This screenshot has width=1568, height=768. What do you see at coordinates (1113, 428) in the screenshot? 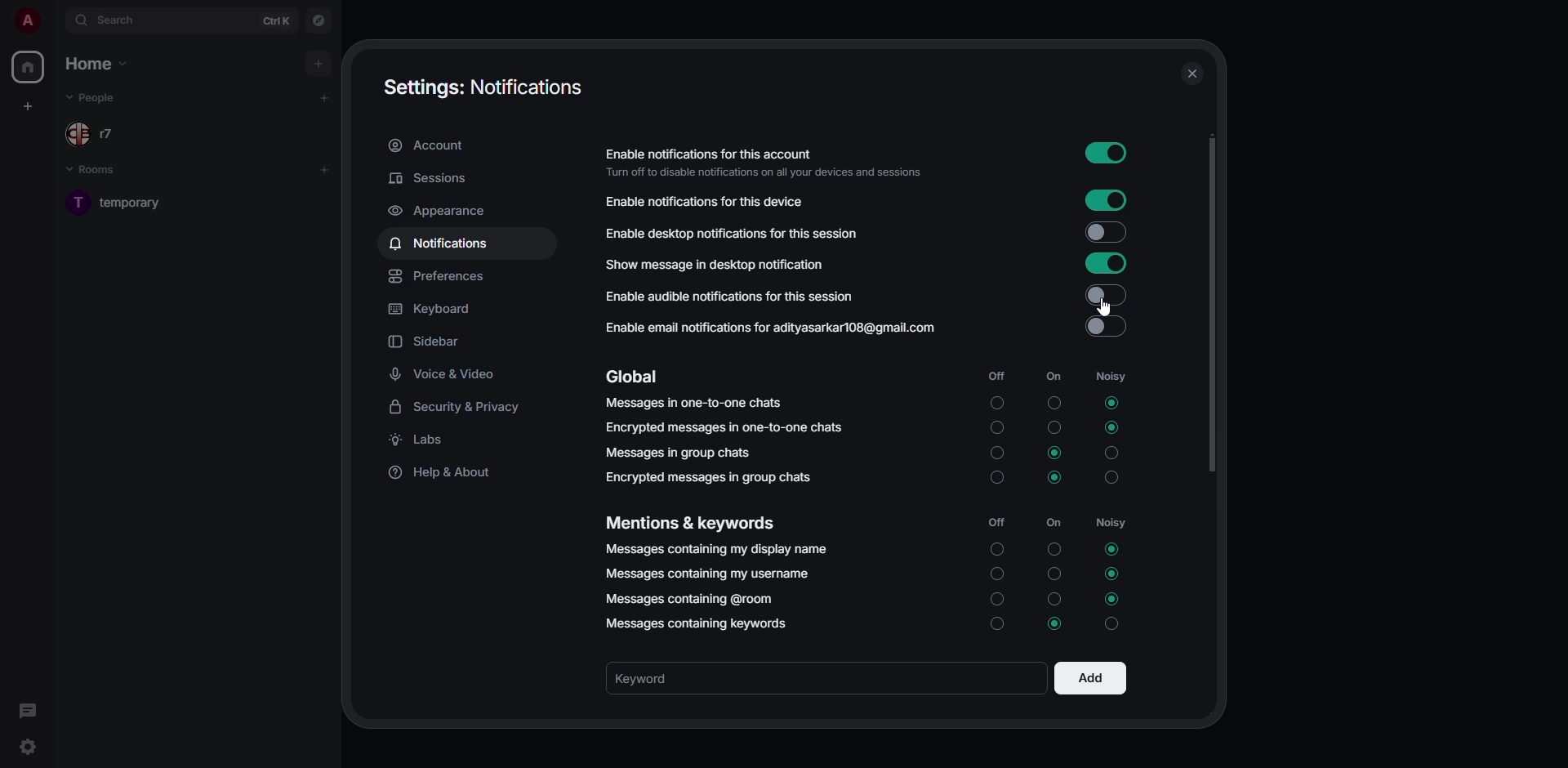
I see `selected` at bounding box center [1113, 428].